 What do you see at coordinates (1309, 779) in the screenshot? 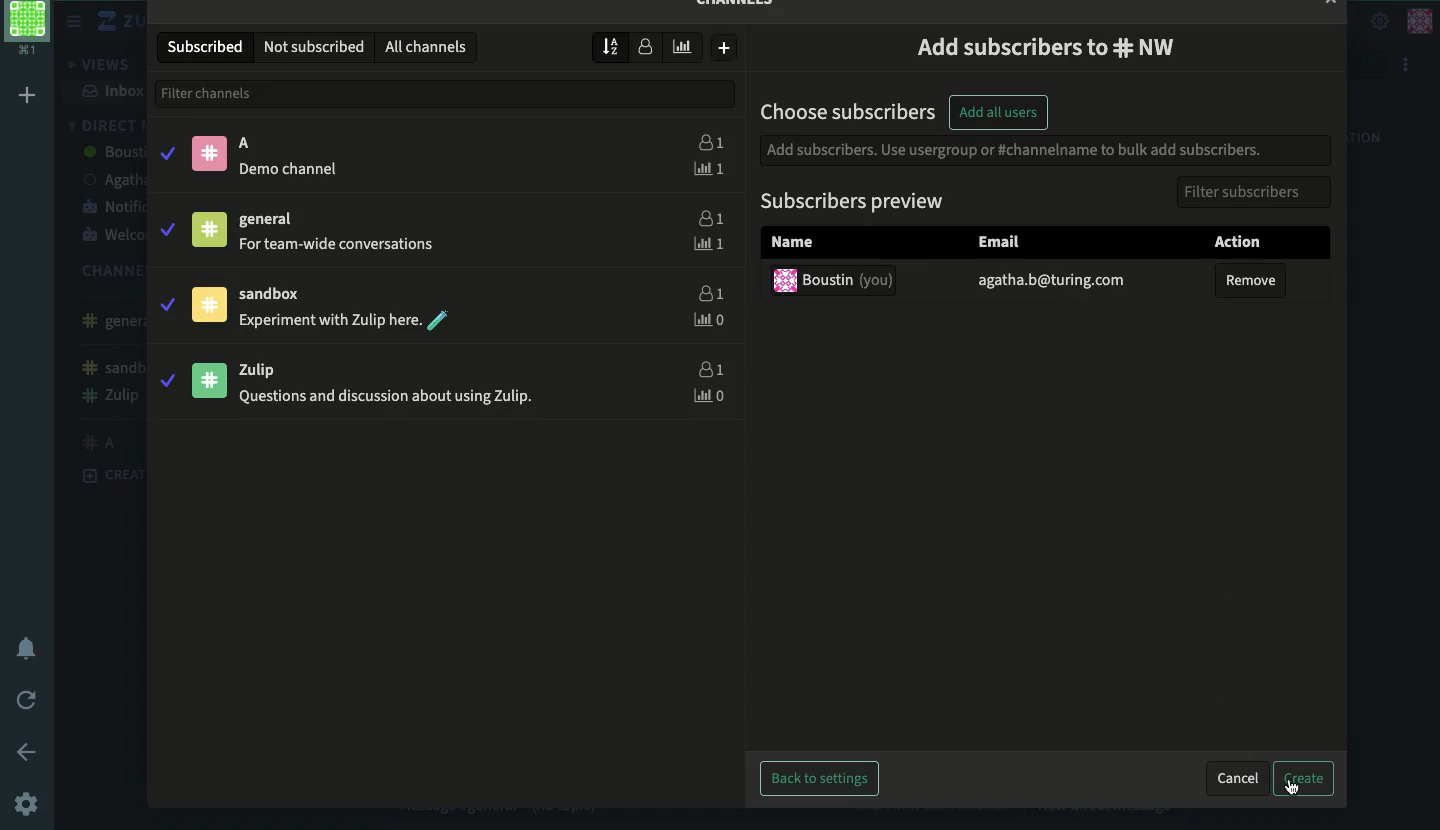
I see `create` at bounding box center [1309, 779].